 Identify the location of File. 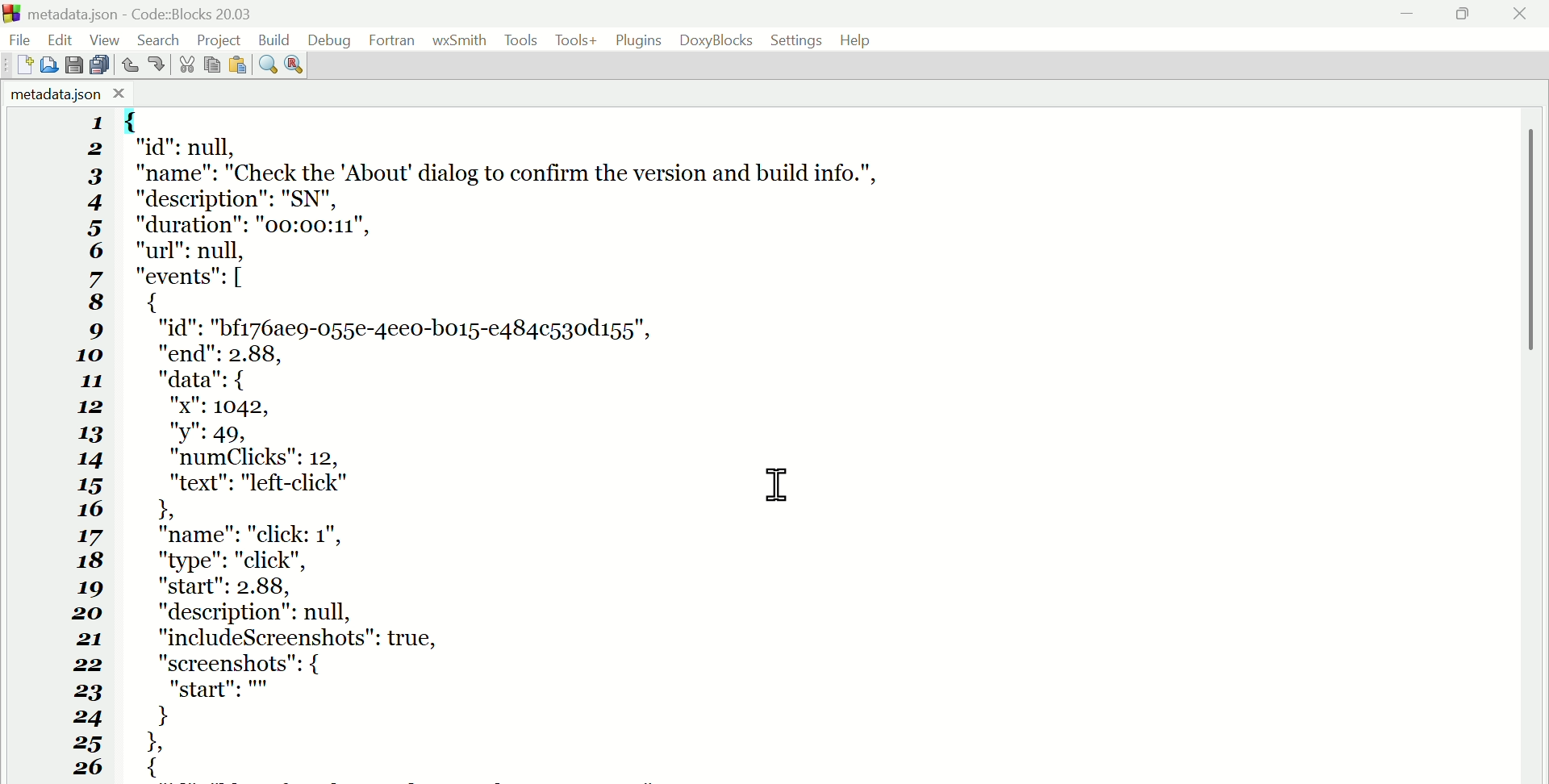
(24, 38).